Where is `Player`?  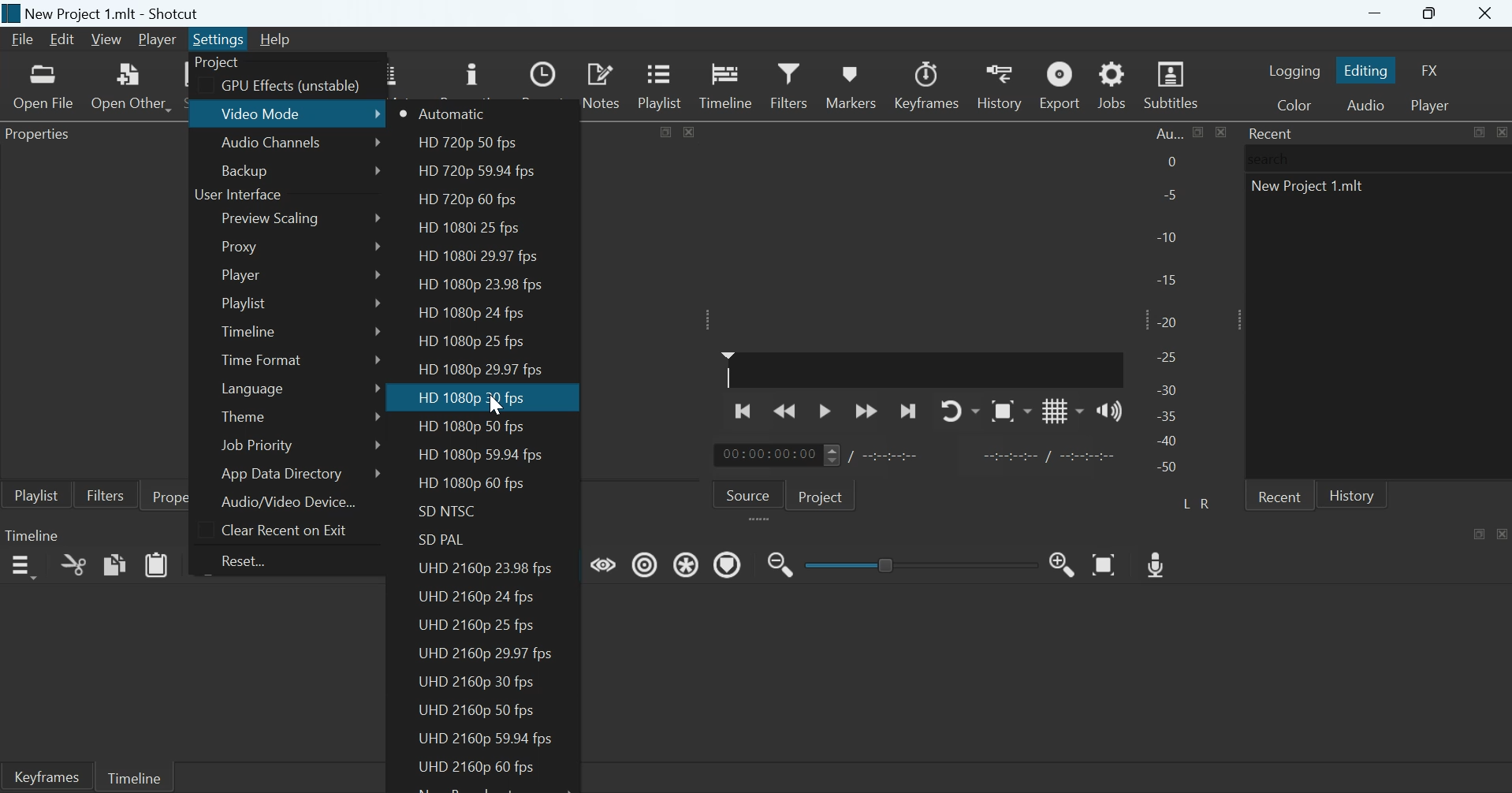
Player is located at coordinates (158, 40).